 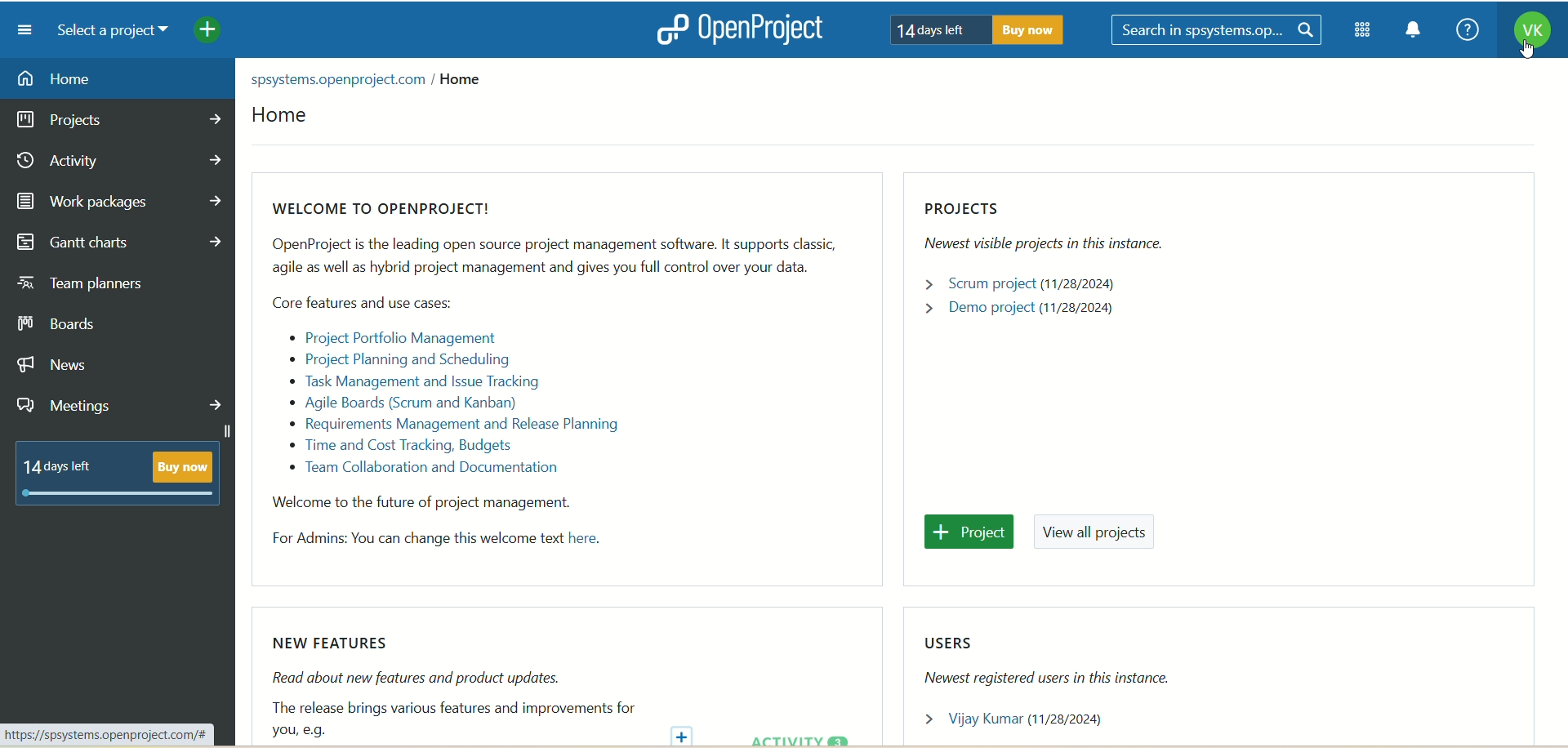 I want to click on gantt charts, so click(x=120, y=243).